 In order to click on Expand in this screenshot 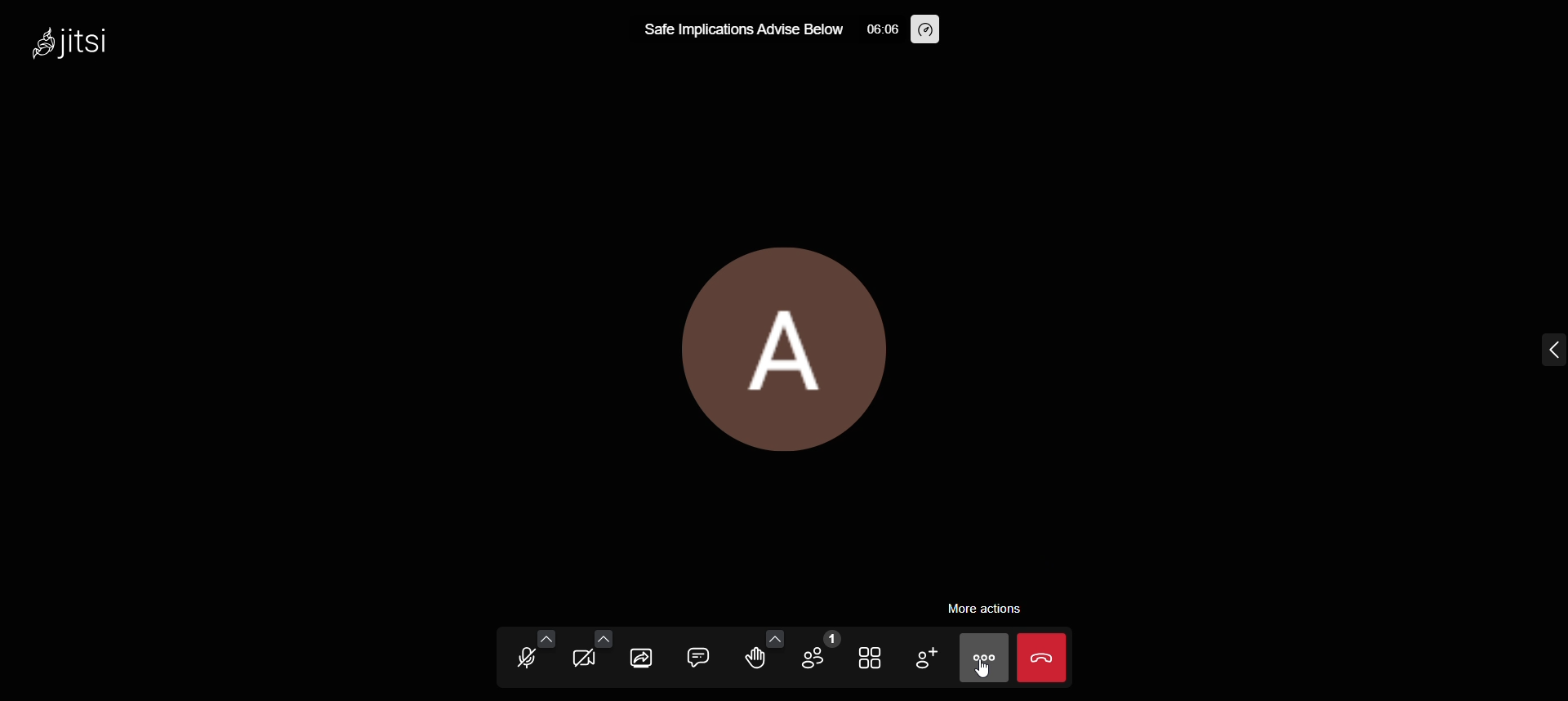, I will do `click(1526, 354)`.